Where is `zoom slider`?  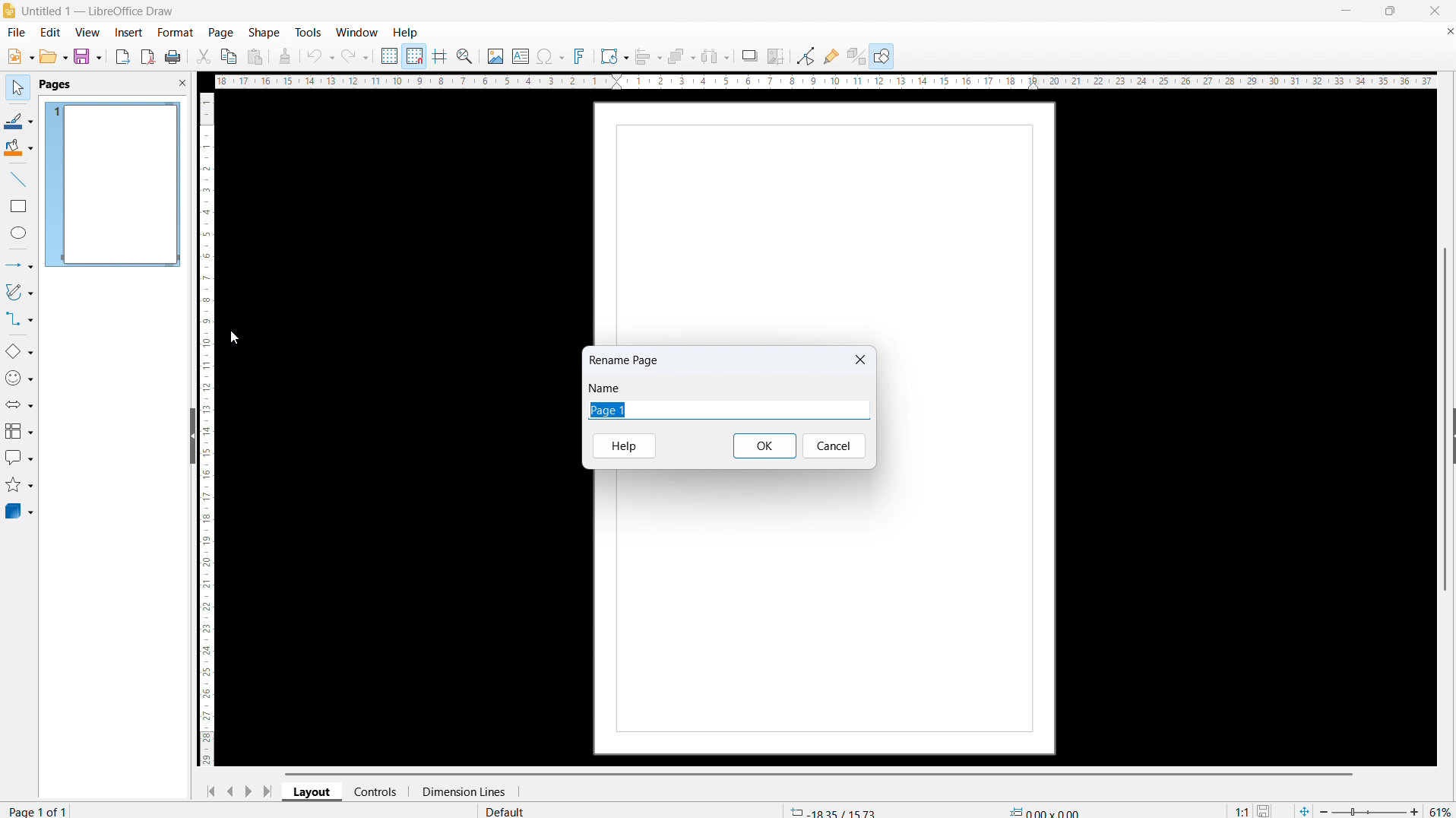
zoom slider is located at coordinates (1369, 809).